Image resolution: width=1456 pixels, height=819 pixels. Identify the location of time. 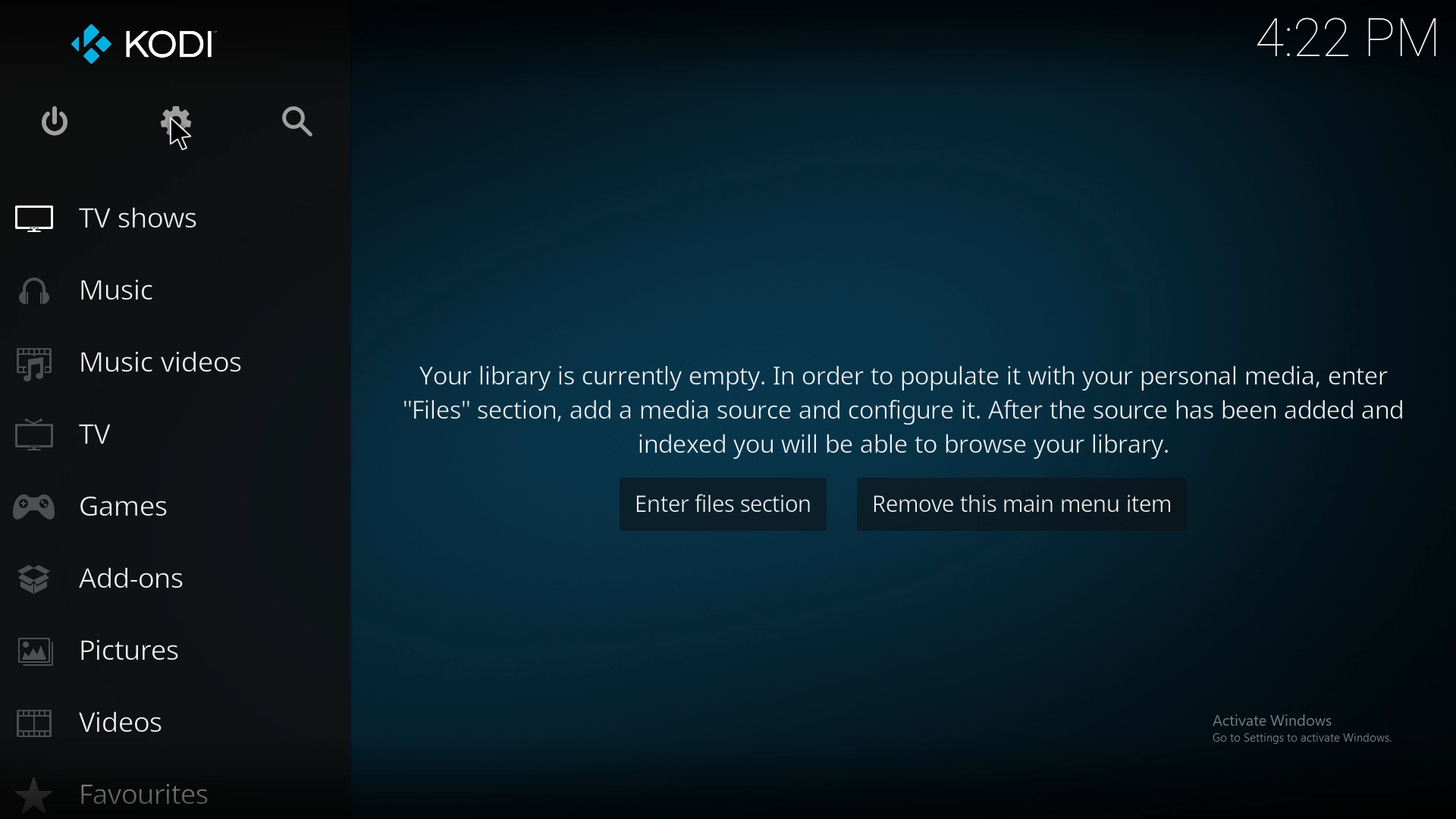
(1343, 37).